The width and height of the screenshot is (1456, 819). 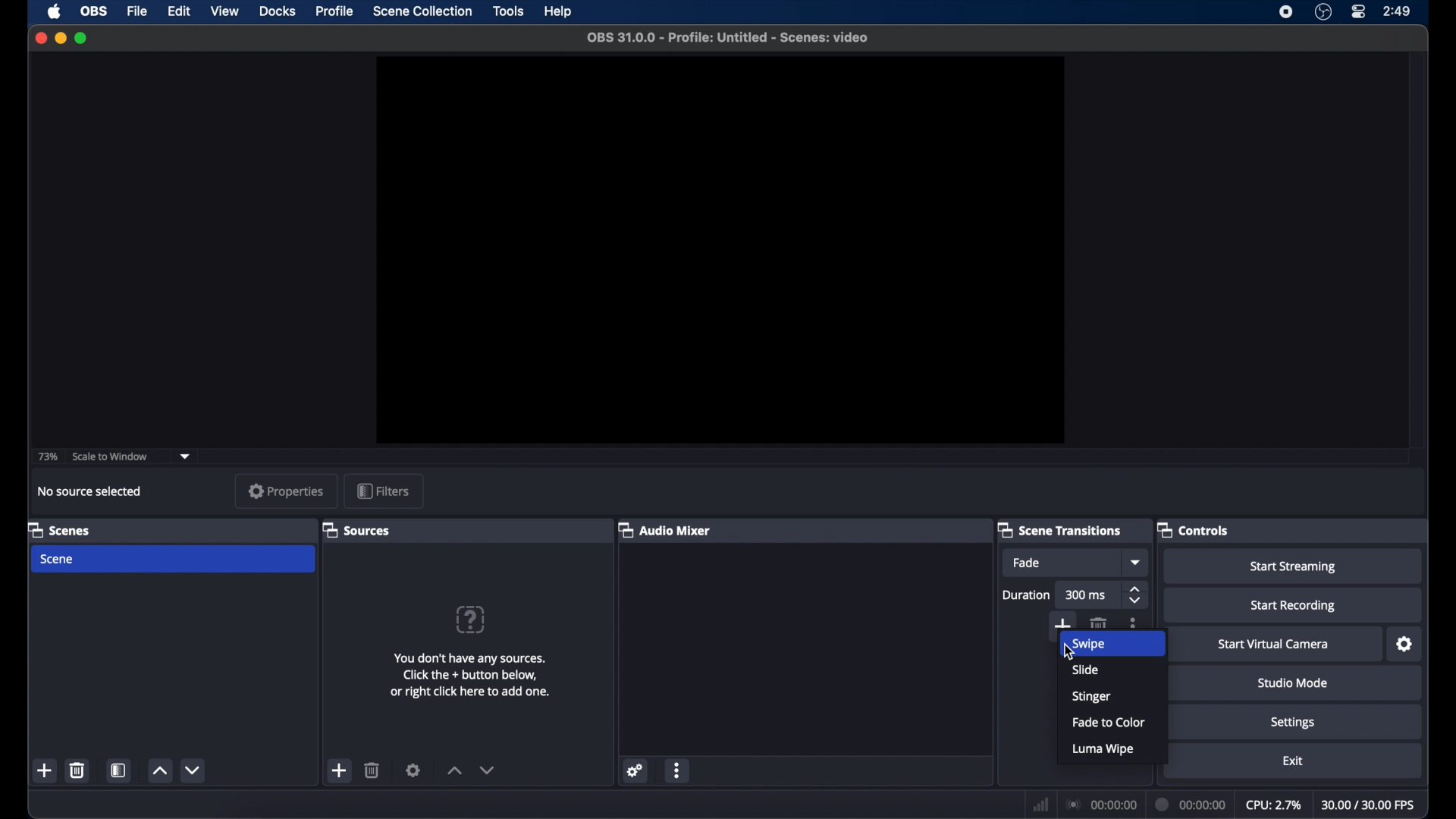 I want to click on screen recorder icon, so click(x=1286, y=11).